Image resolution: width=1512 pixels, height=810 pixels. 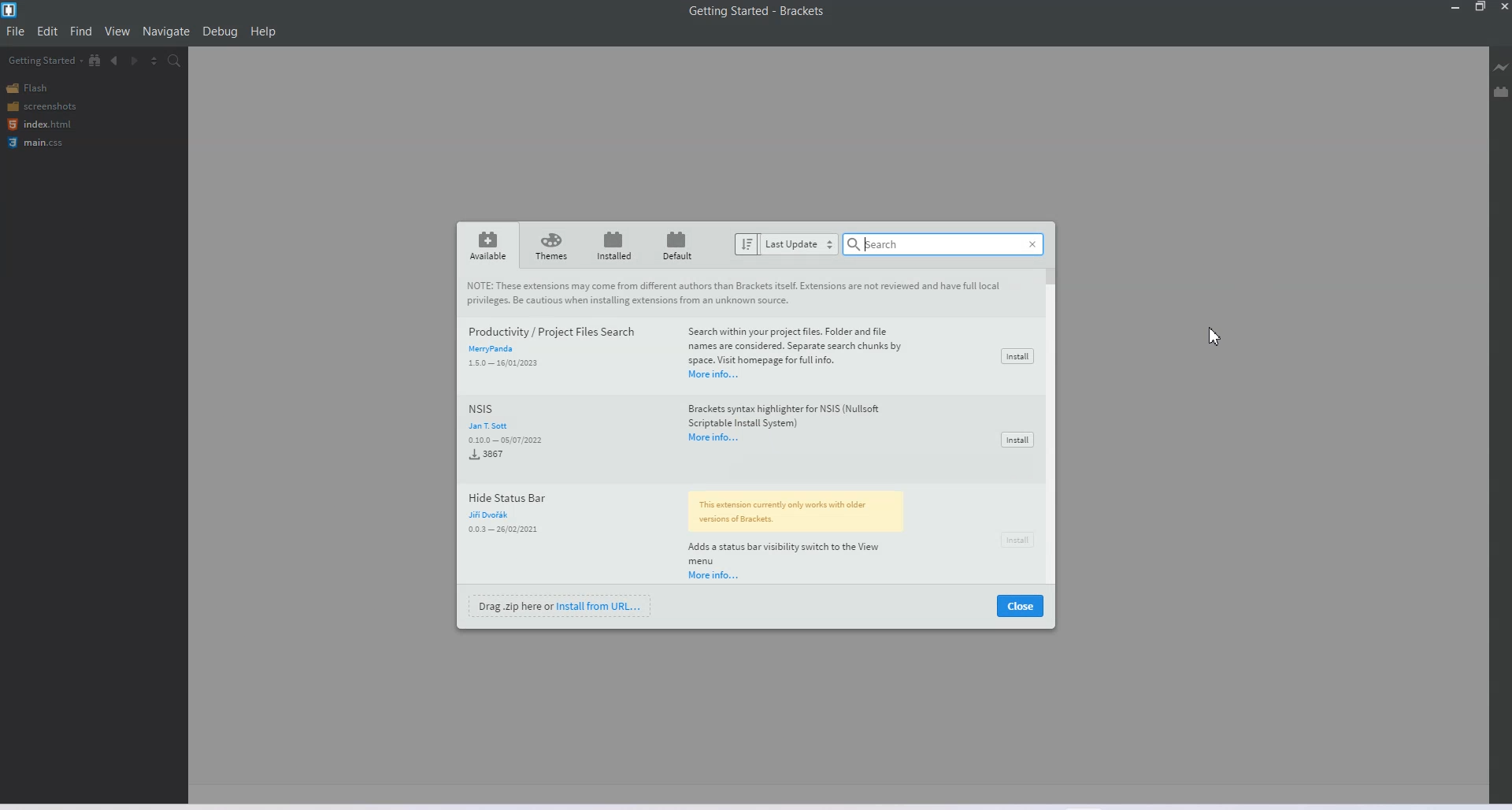 I want to click on install, so click(x=1015, y=539).